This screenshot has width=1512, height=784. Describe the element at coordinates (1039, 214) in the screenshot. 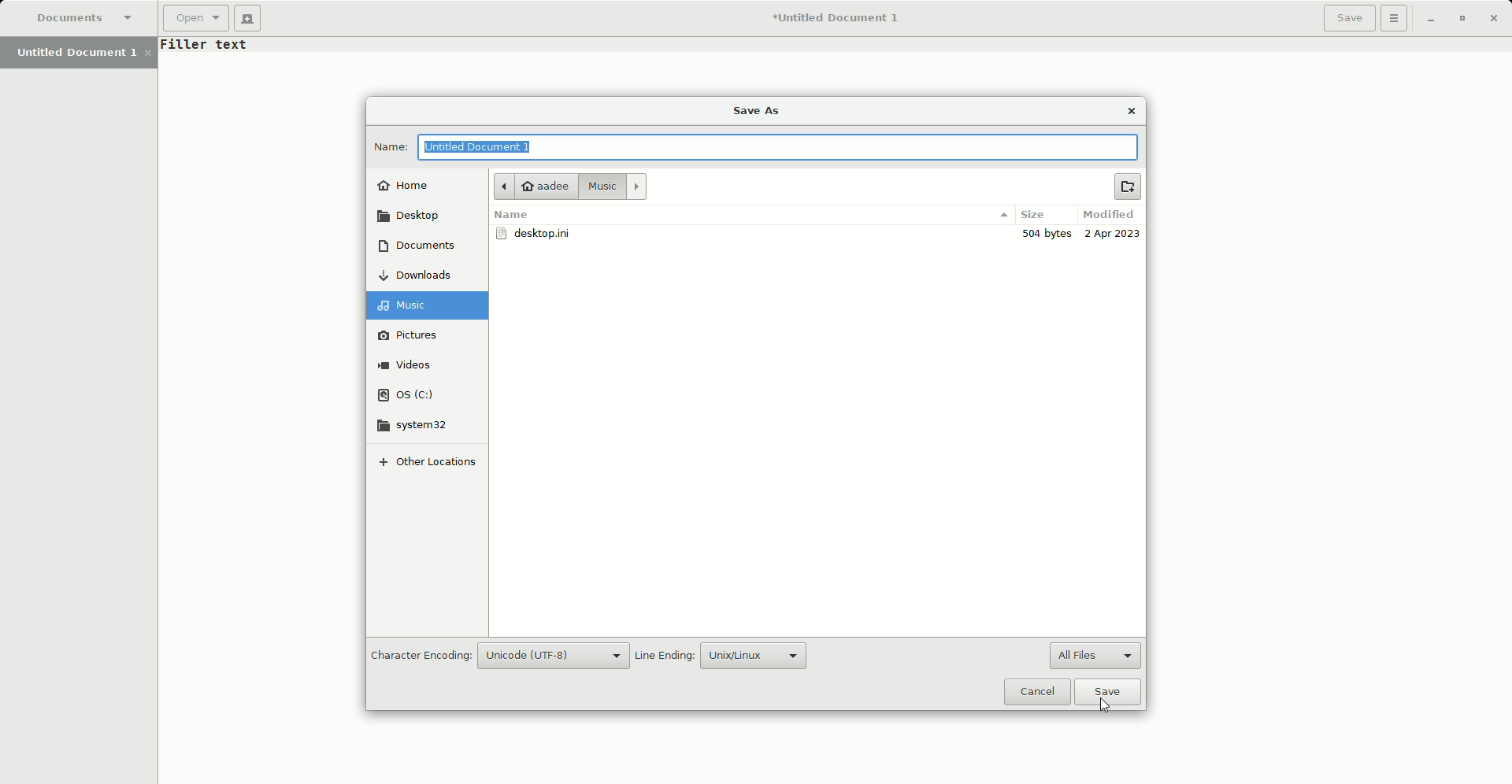

I see `Size` at that location.